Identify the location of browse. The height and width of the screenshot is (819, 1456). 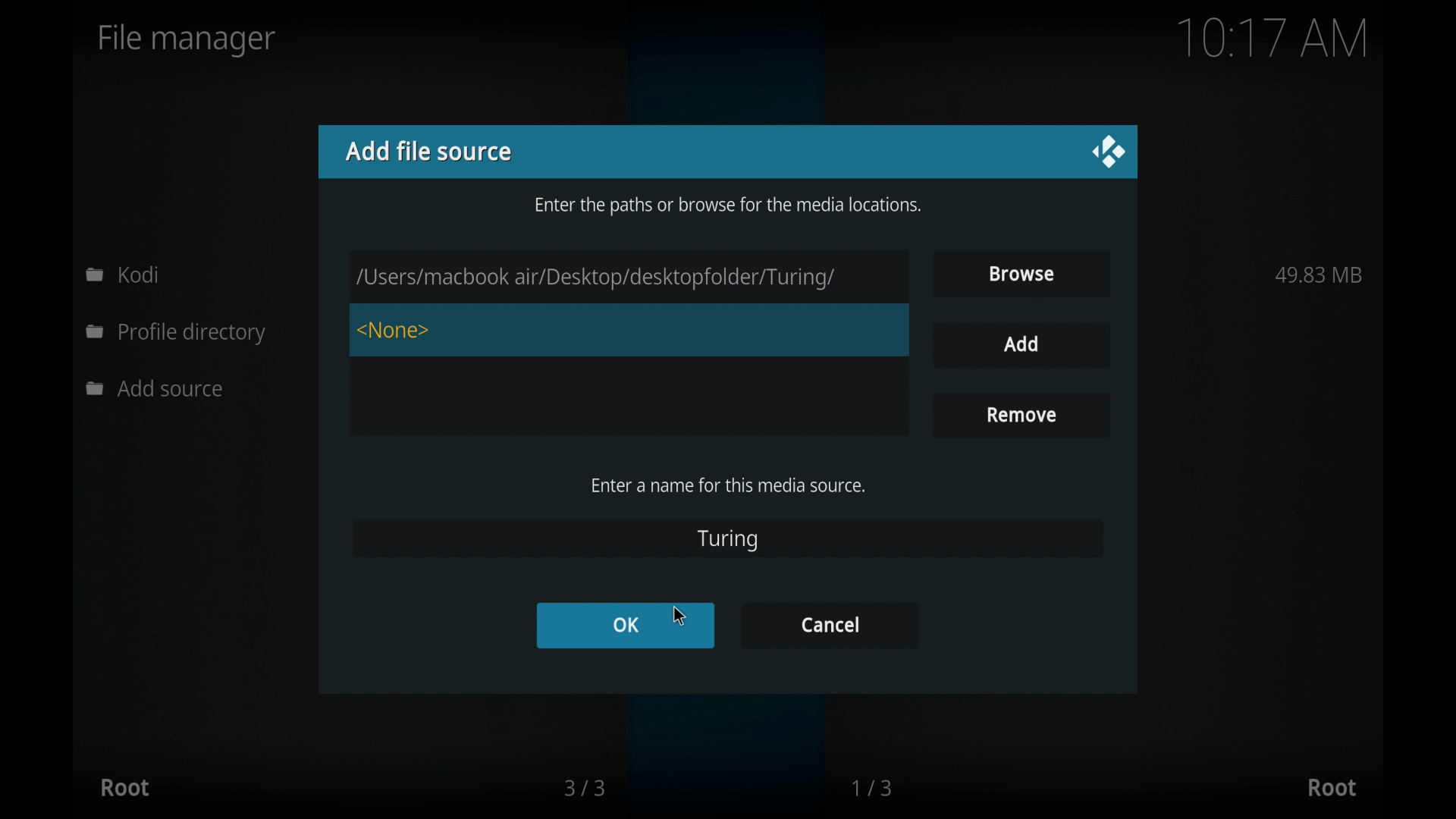
(1023, 273).